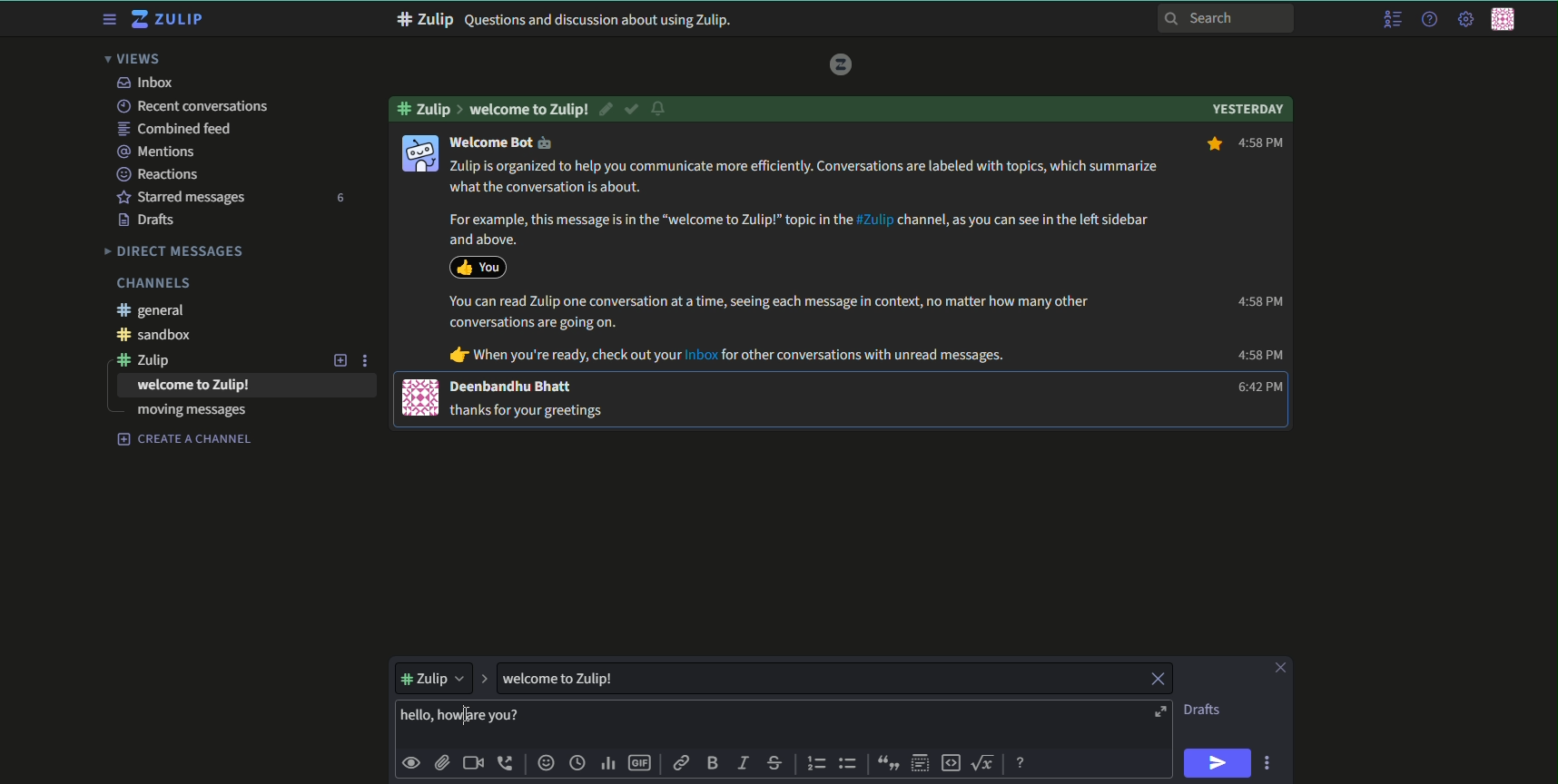 This screenshot has width=1558, height=784. I want to click on message formatting, so click(1022, 760).